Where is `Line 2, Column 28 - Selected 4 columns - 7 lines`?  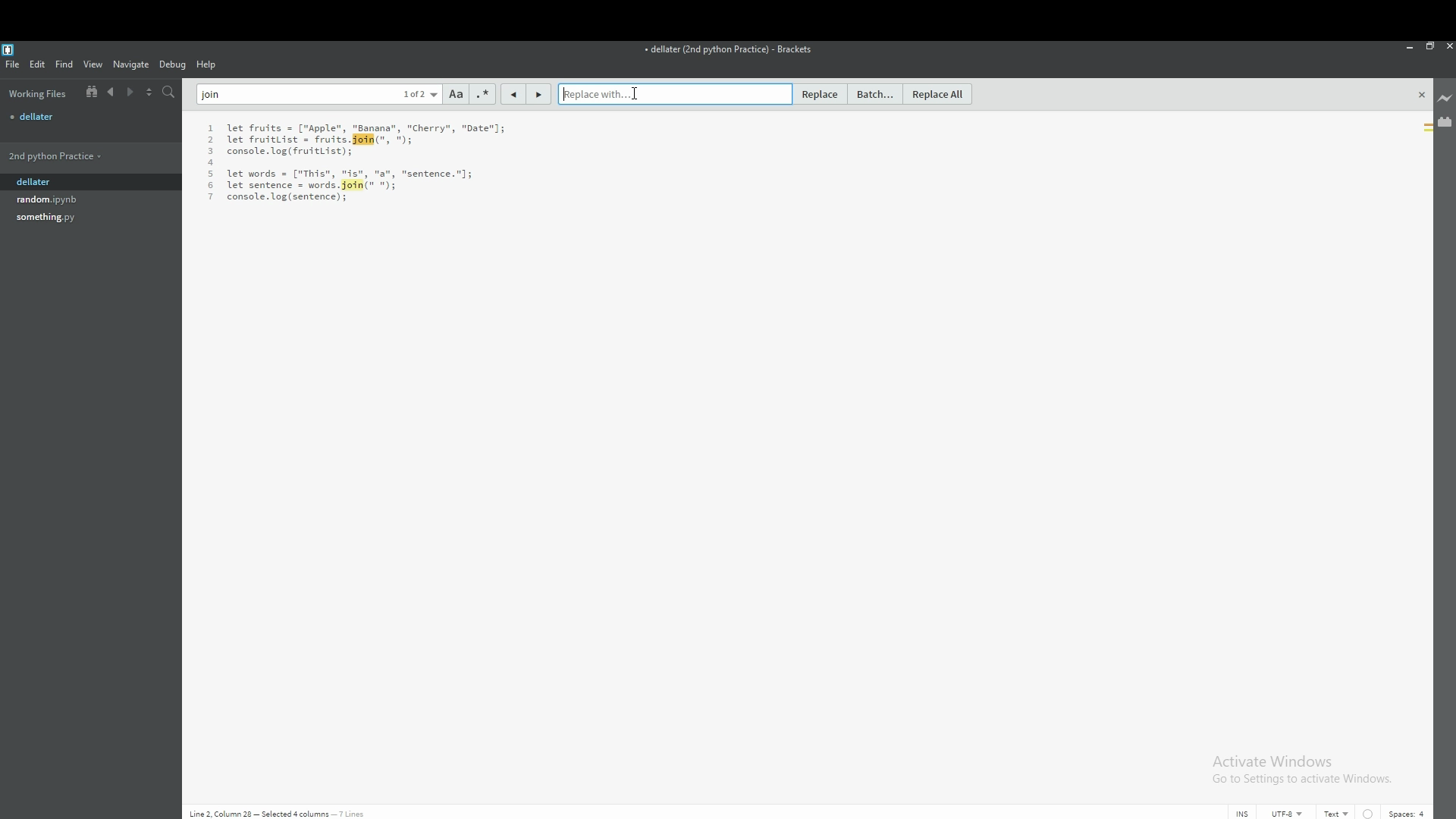
Line 2, Column 28 - Selected 4 columns - 7 lines is located at coordinates (297, 813).